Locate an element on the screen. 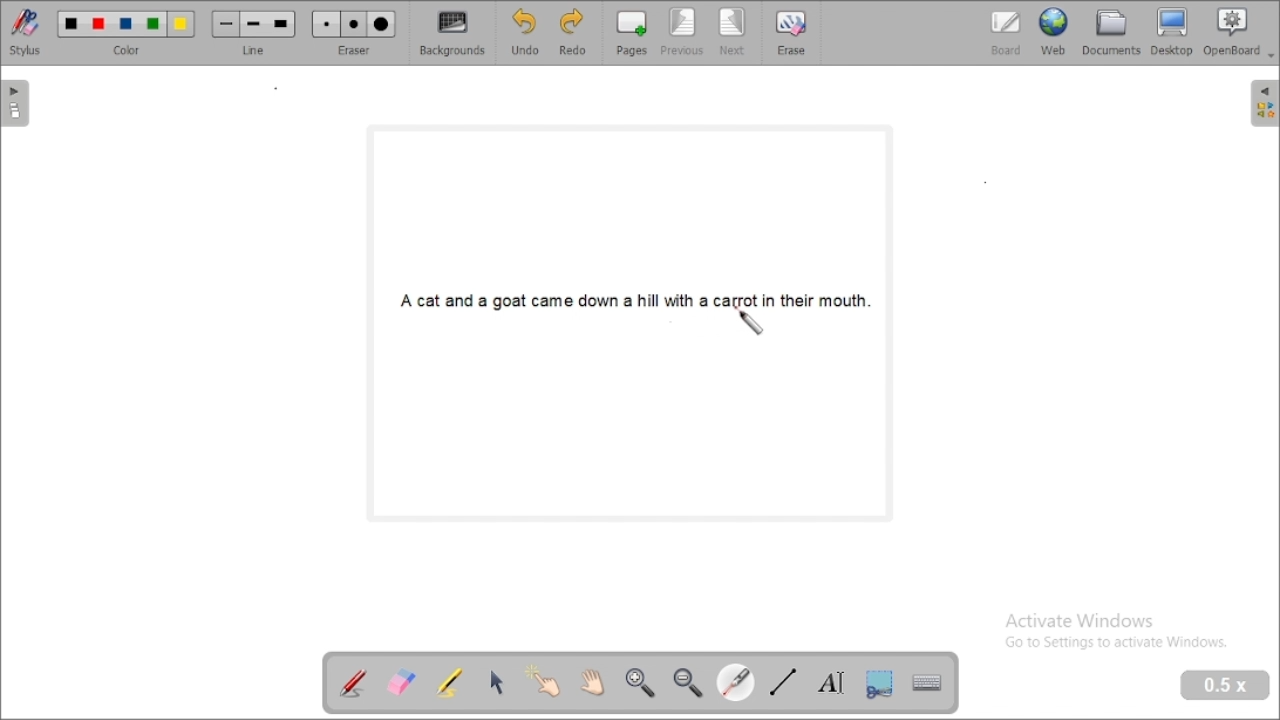  zoom in is located at coordinates (641, 684).